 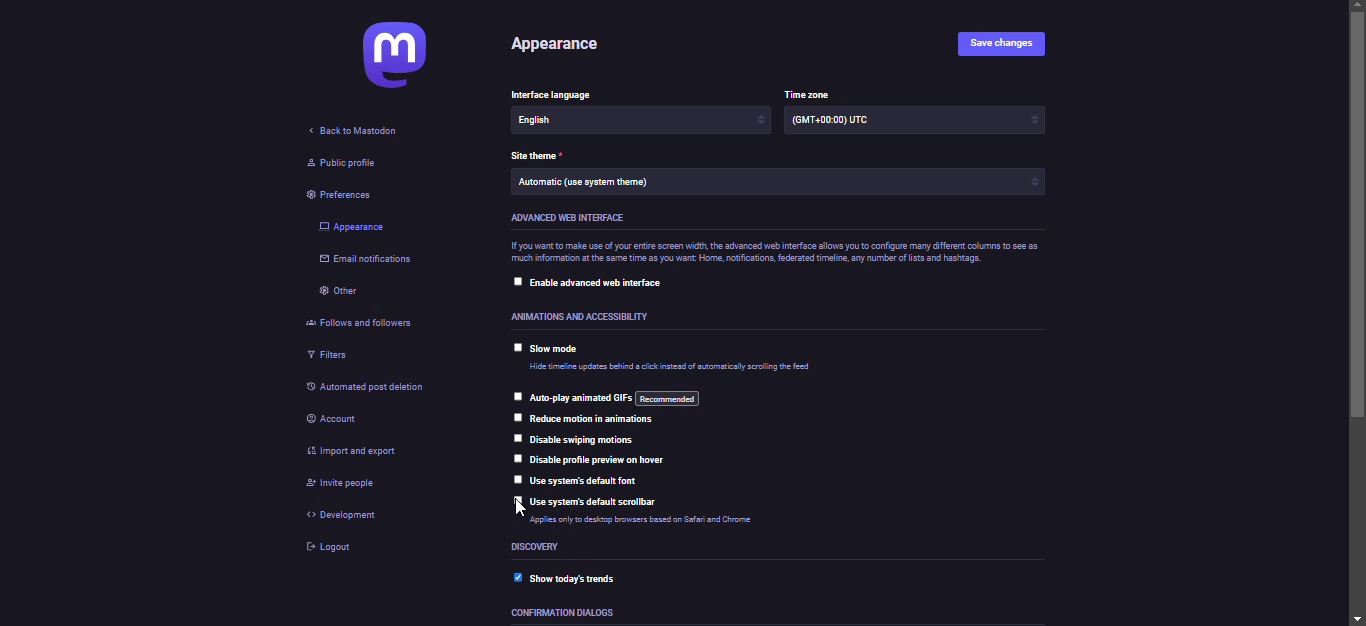 What do you see at coordinates (557, 43) in the screenshot?
I see `appearance` at bounding box center [557, 43].